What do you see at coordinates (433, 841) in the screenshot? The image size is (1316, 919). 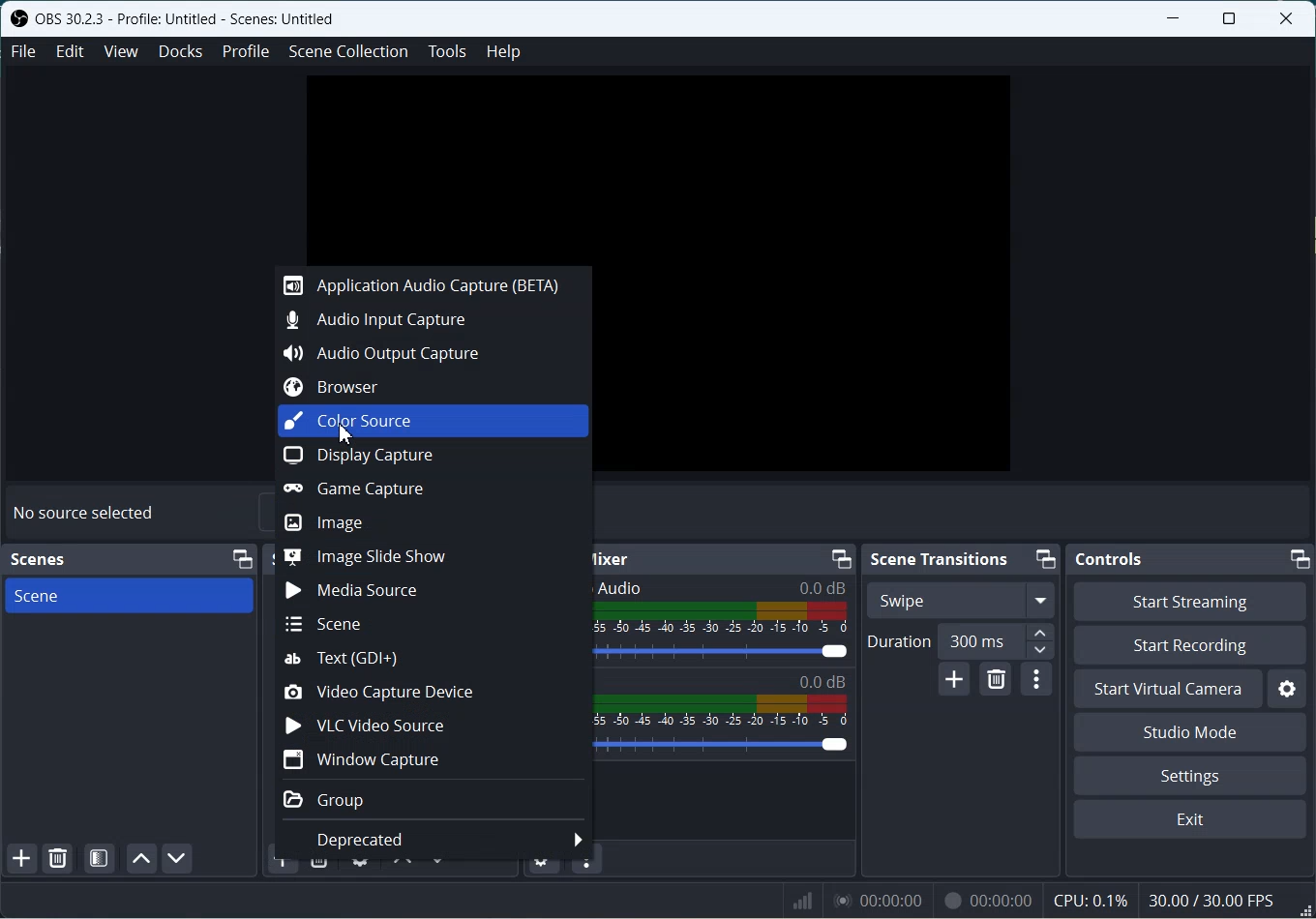 I see `Deprecated` at bounding box center [433, 841].